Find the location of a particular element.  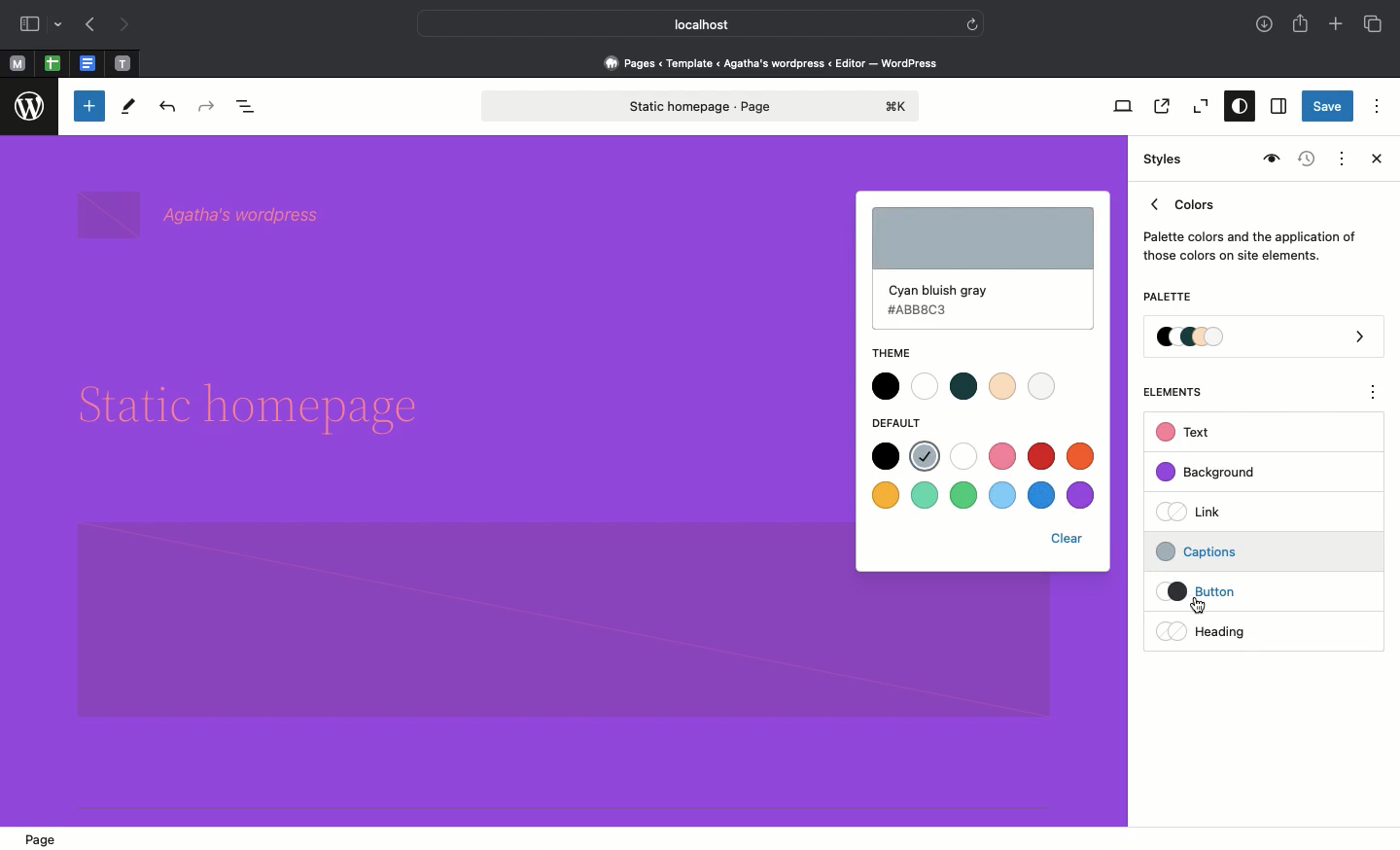

captions is located at coordinates (1231, 549).